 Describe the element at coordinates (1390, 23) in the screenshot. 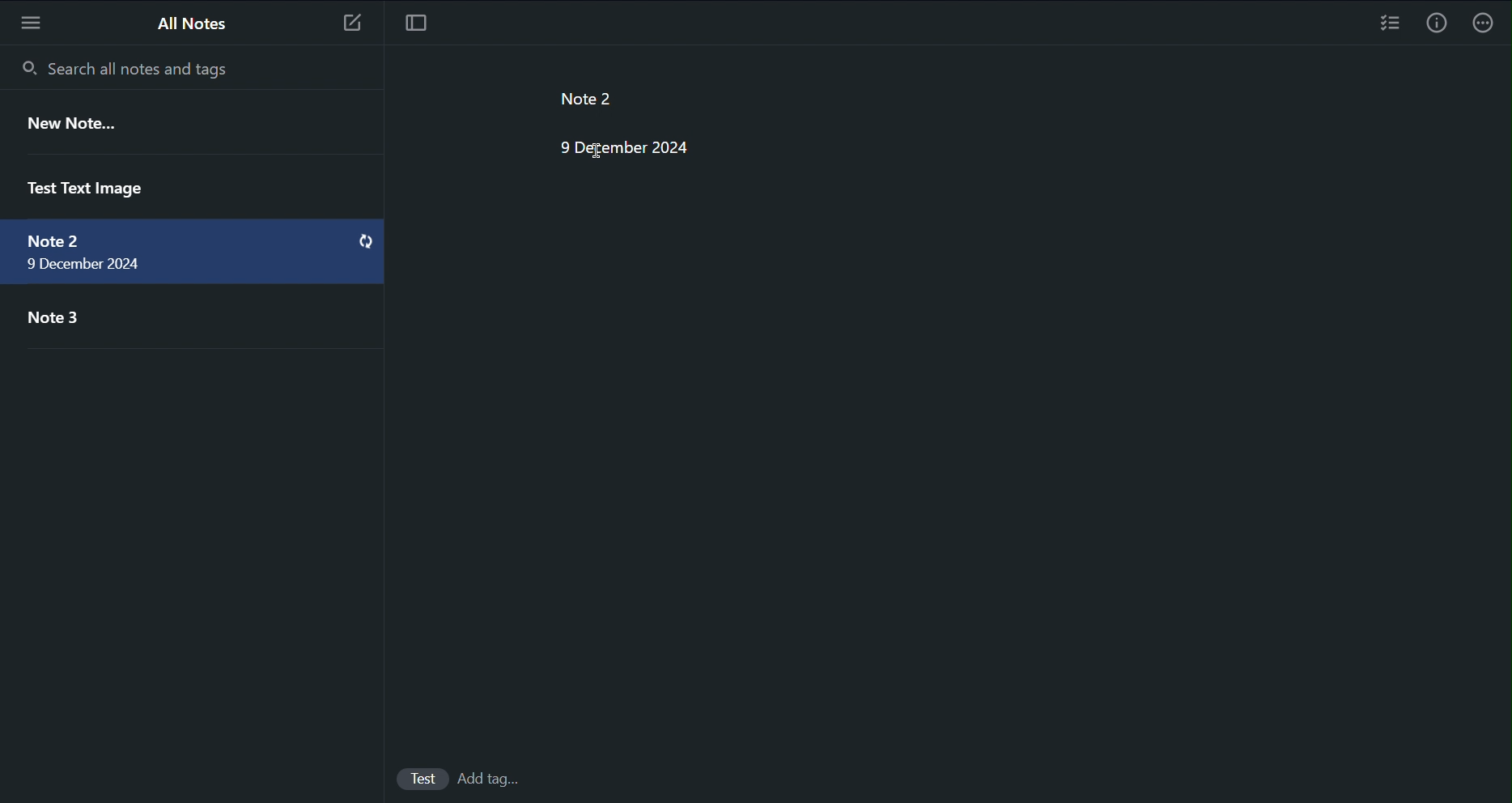

I see `Checklist` at that location.